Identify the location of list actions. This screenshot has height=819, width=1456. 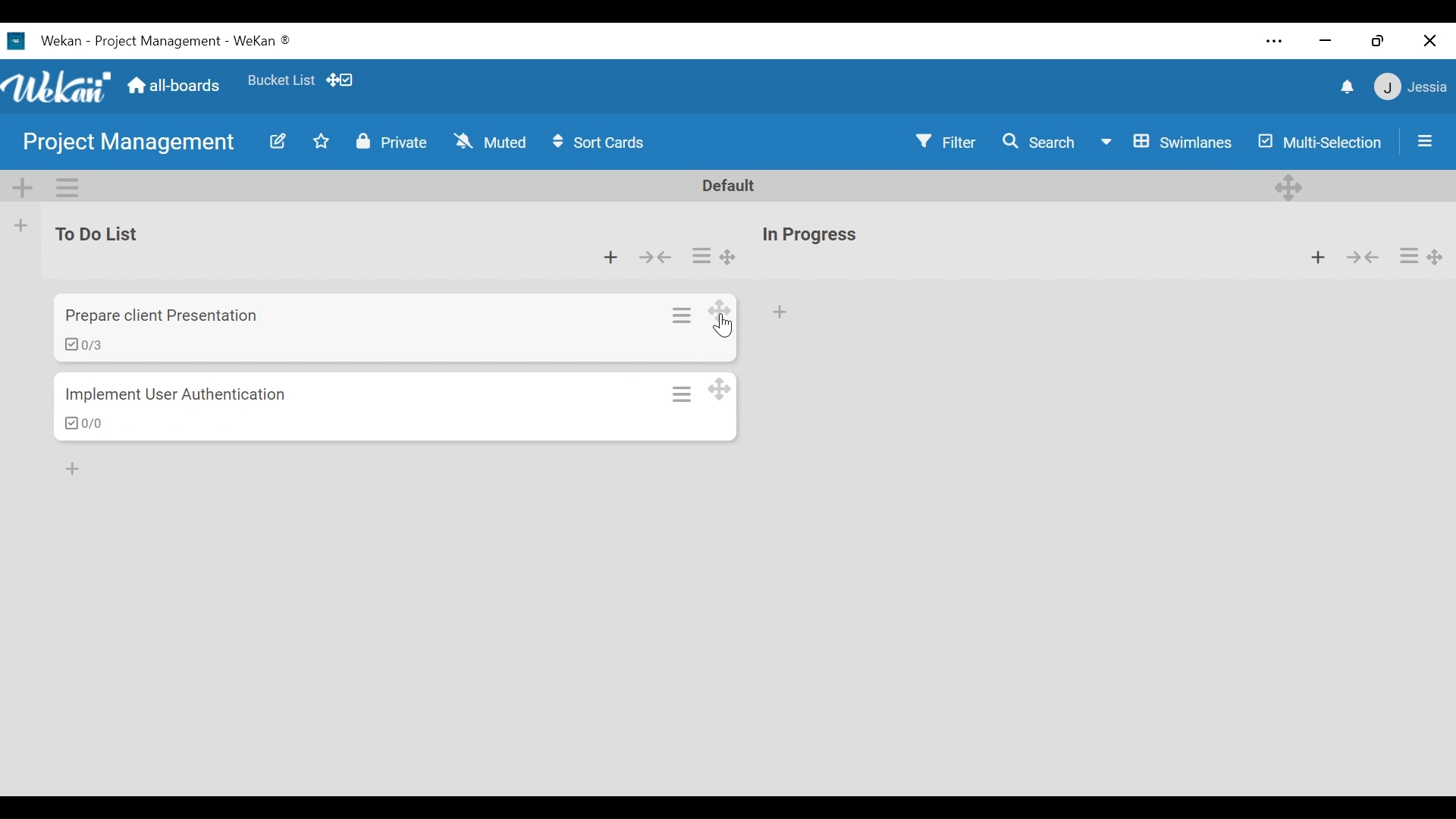
(702, 257).